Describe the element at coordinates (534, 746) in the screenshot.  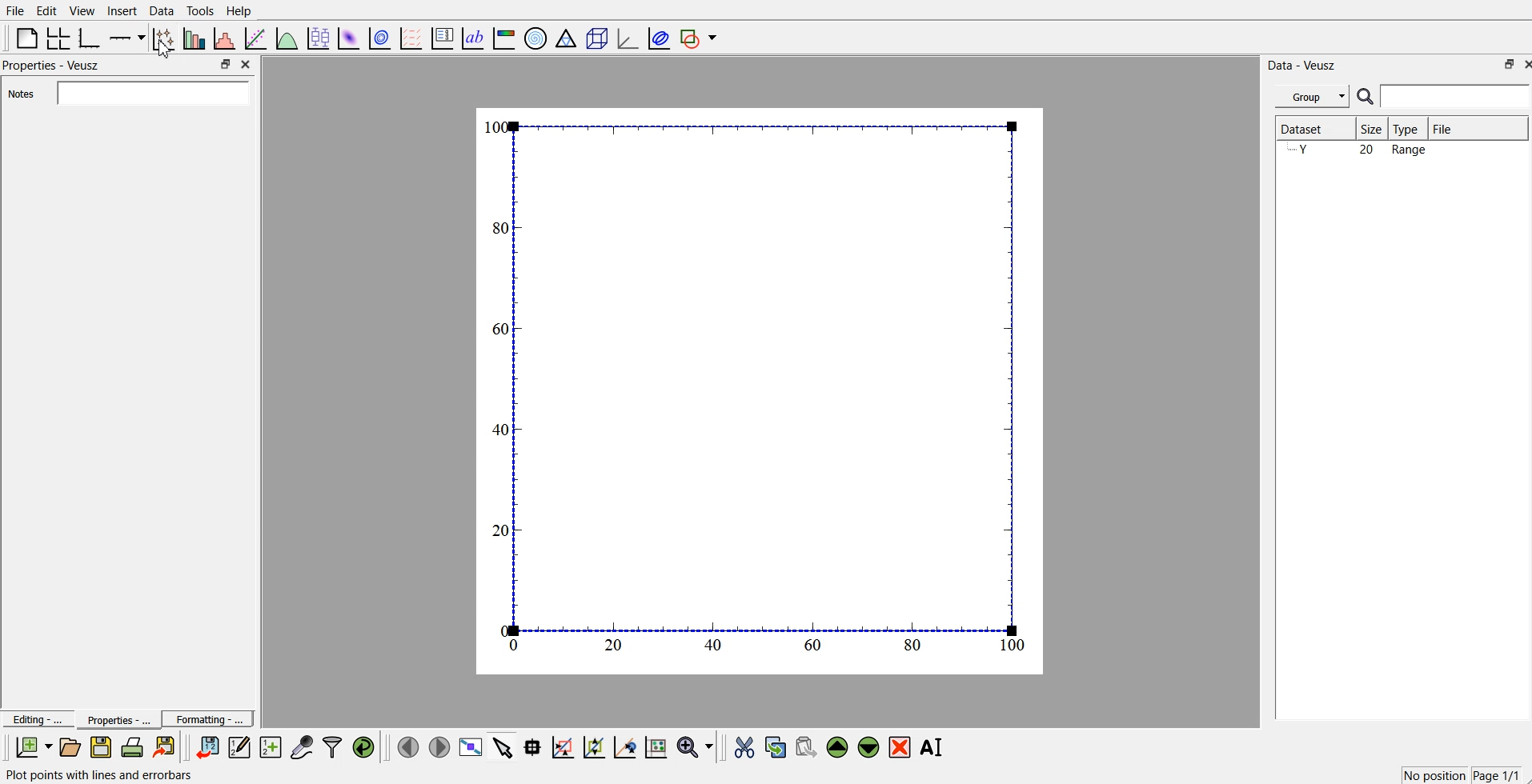
I see `read data point on the graph` at that location.